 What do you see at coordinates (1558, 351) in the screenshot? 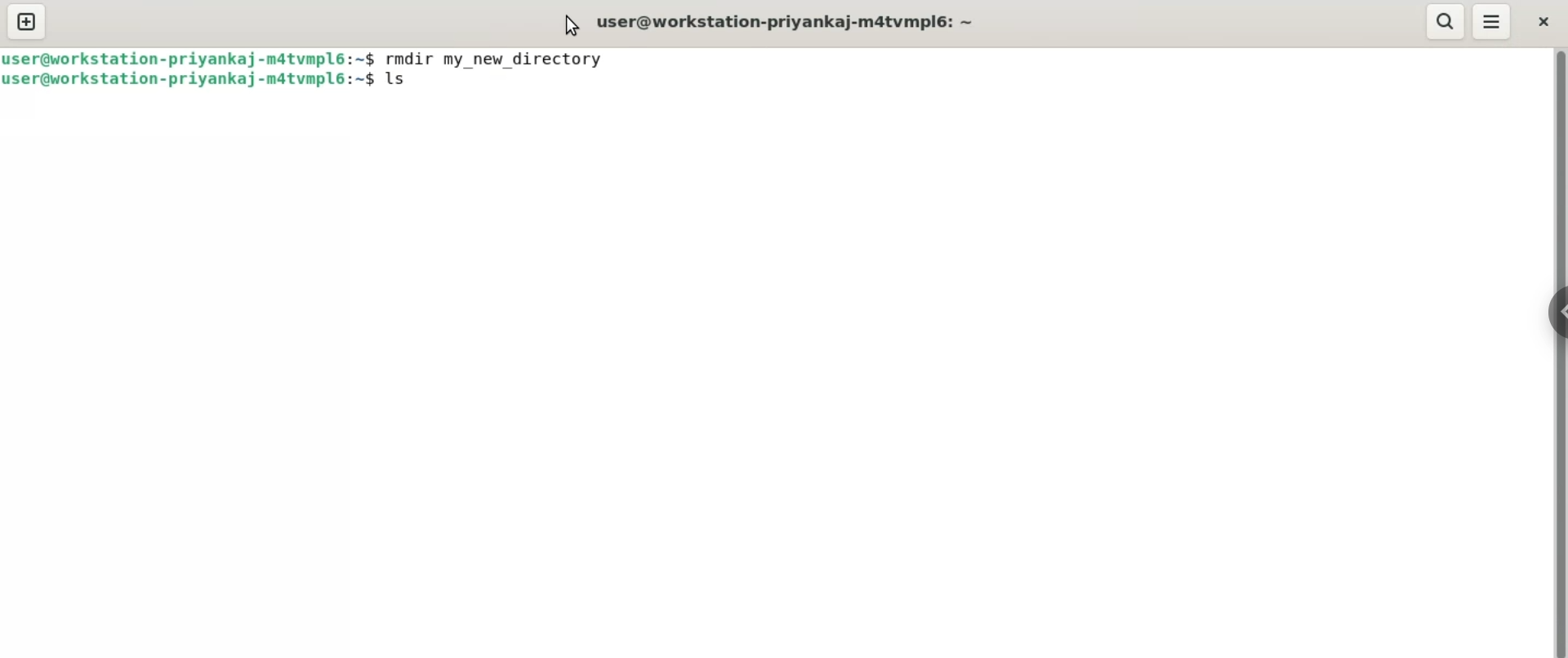
I see `verical scroll bar` at bounding box center [1558, 351].